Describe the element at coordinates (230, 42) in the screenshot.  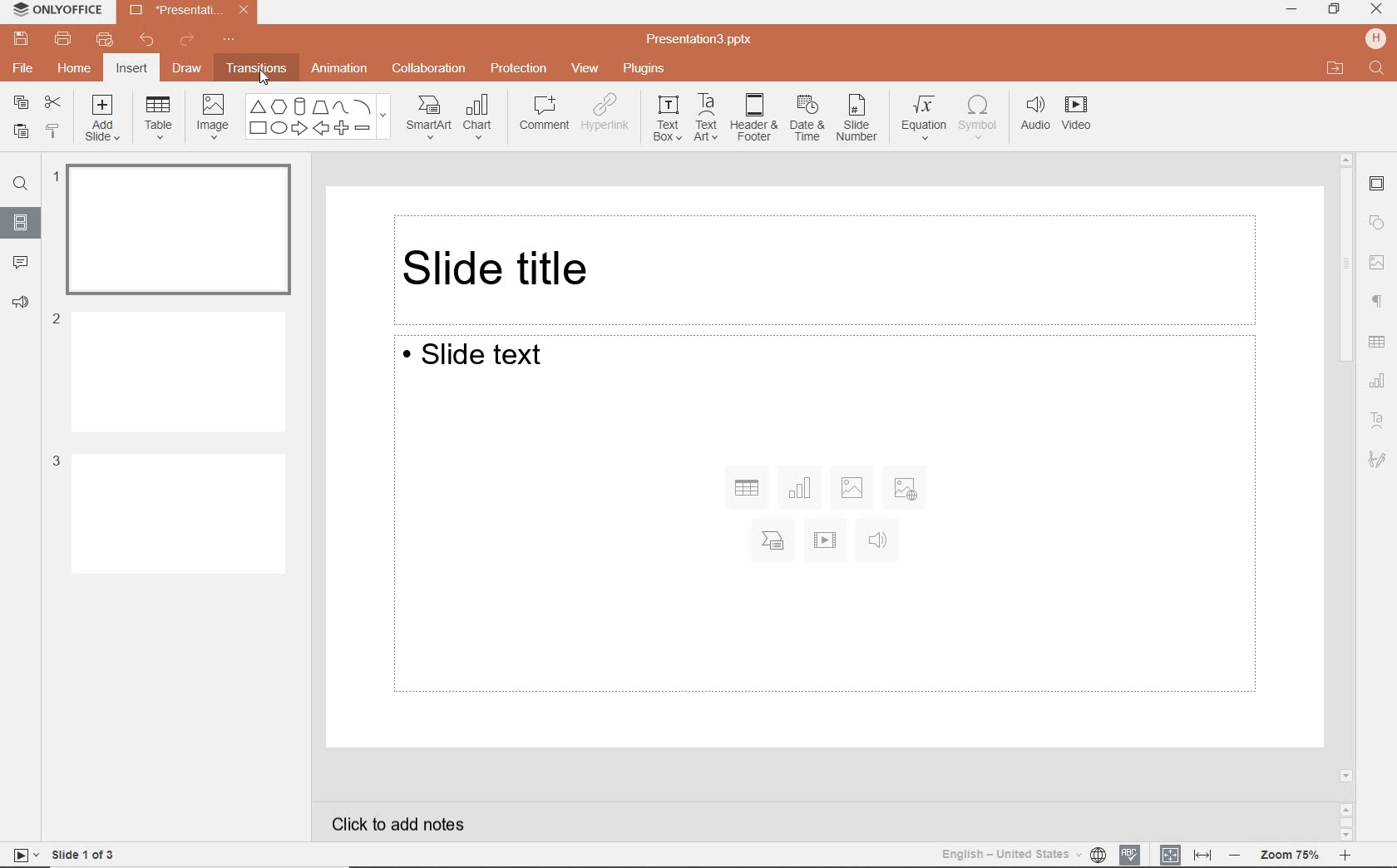
I see `customize quick access toolbar` at that location.